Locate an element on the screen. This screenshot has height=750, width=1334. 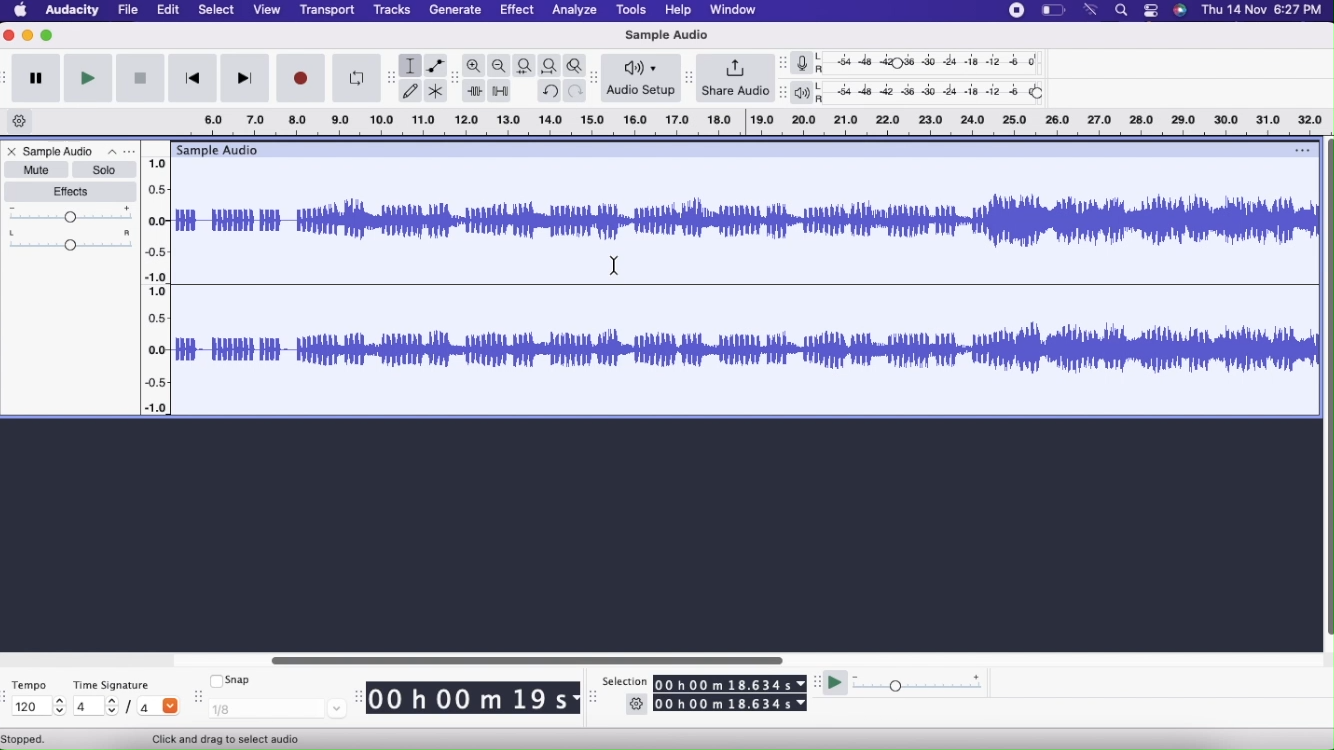
Play at speed is located at coordinates (834, 682).